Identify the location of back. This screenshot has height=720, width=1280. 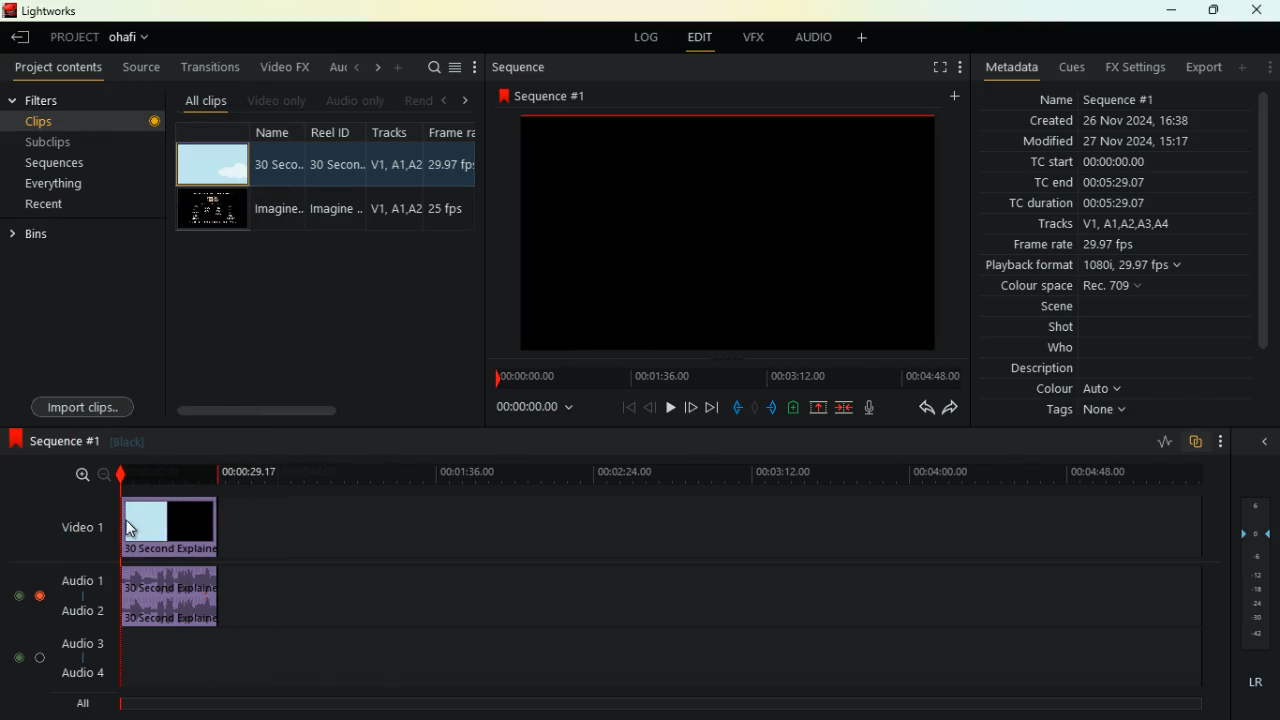
(650, 407).